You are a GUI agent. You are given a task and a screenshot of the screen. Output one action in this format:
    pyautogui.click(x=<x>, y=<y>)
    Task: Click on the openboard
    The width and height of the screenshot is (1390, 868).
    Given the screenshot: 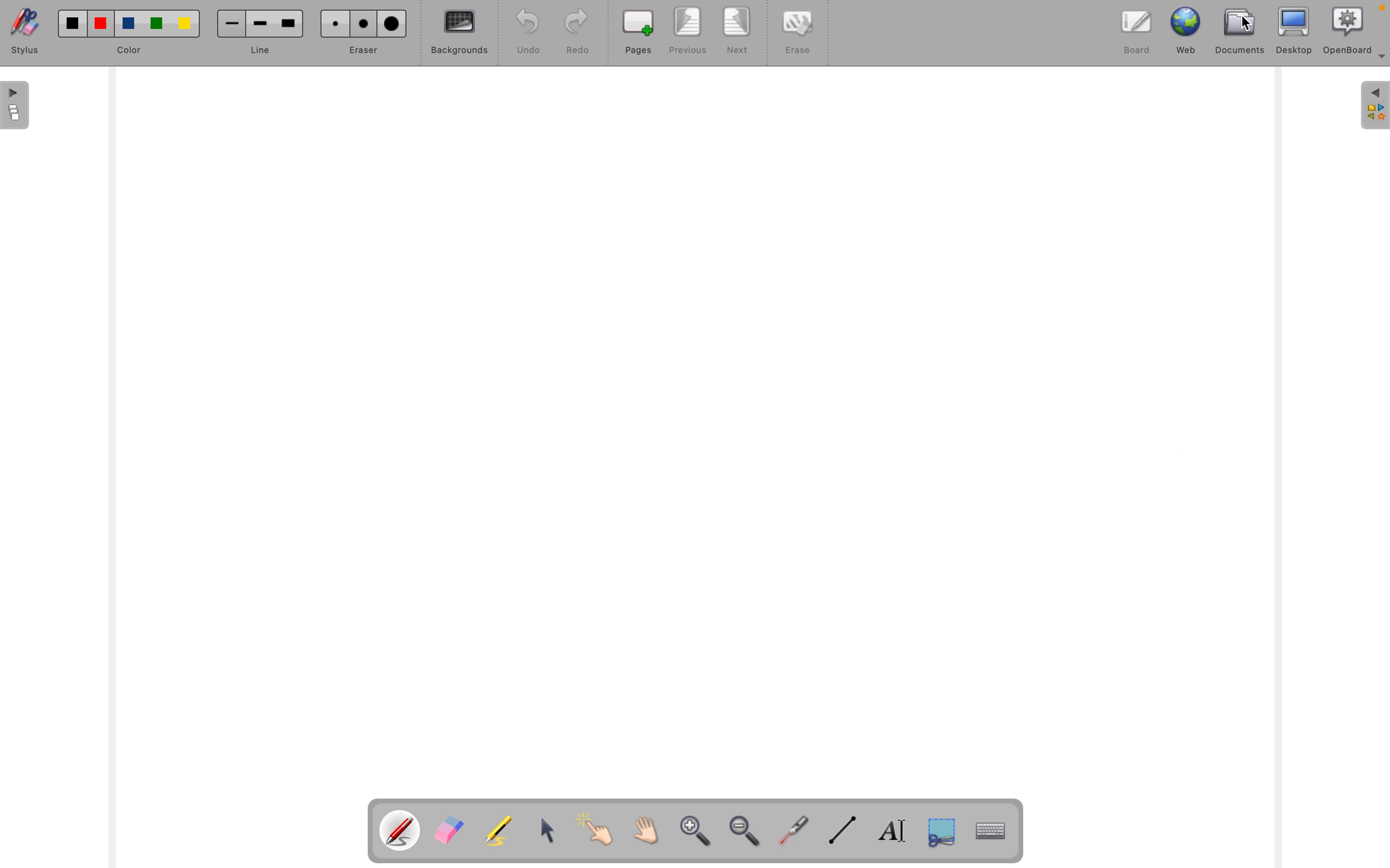 What is the action you would take?
    pyautogui.click(x=1348, y=29)
    